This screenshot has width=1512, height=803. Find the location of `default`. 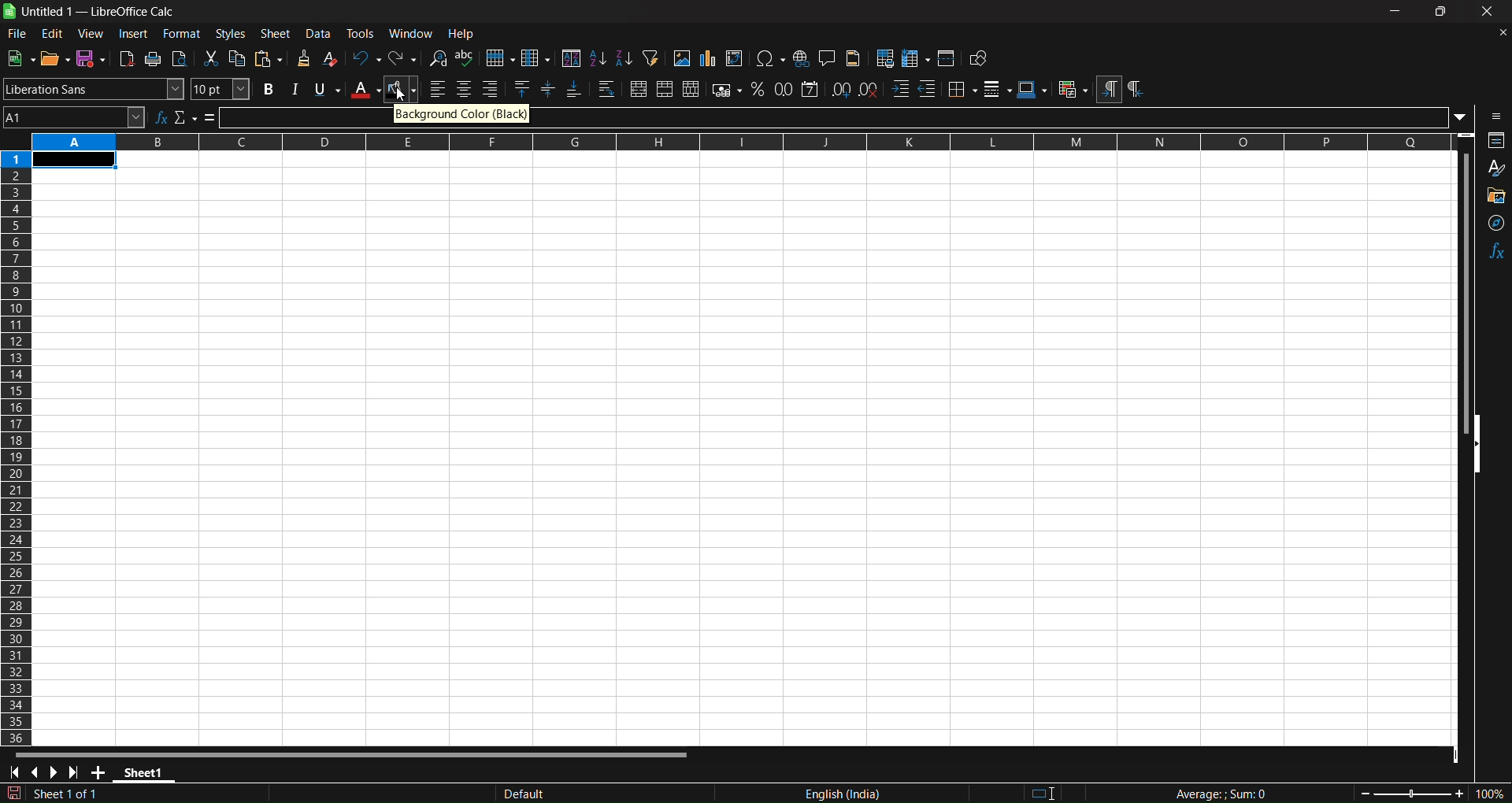

default is located at coordinates (601, 790).